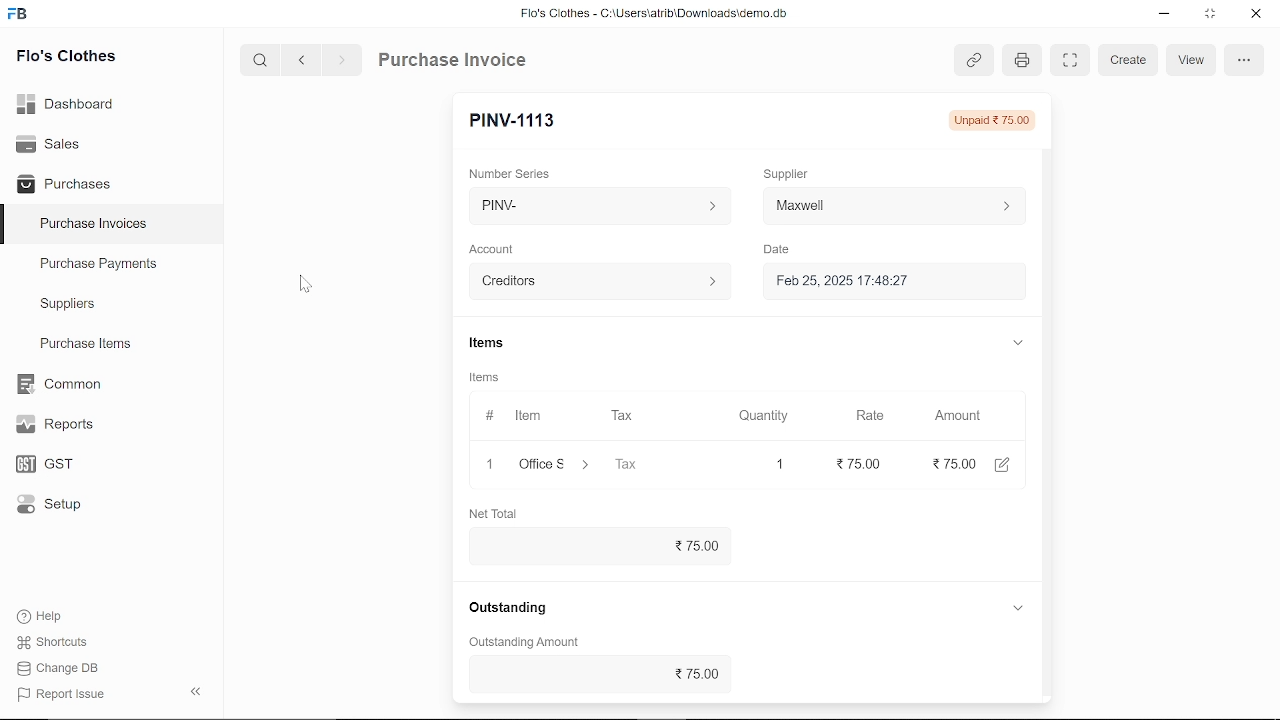  What do you see at coordinates (894, 204) in the screenshot?
I see `input ‘Supplier` at bounding box center [894, 204].